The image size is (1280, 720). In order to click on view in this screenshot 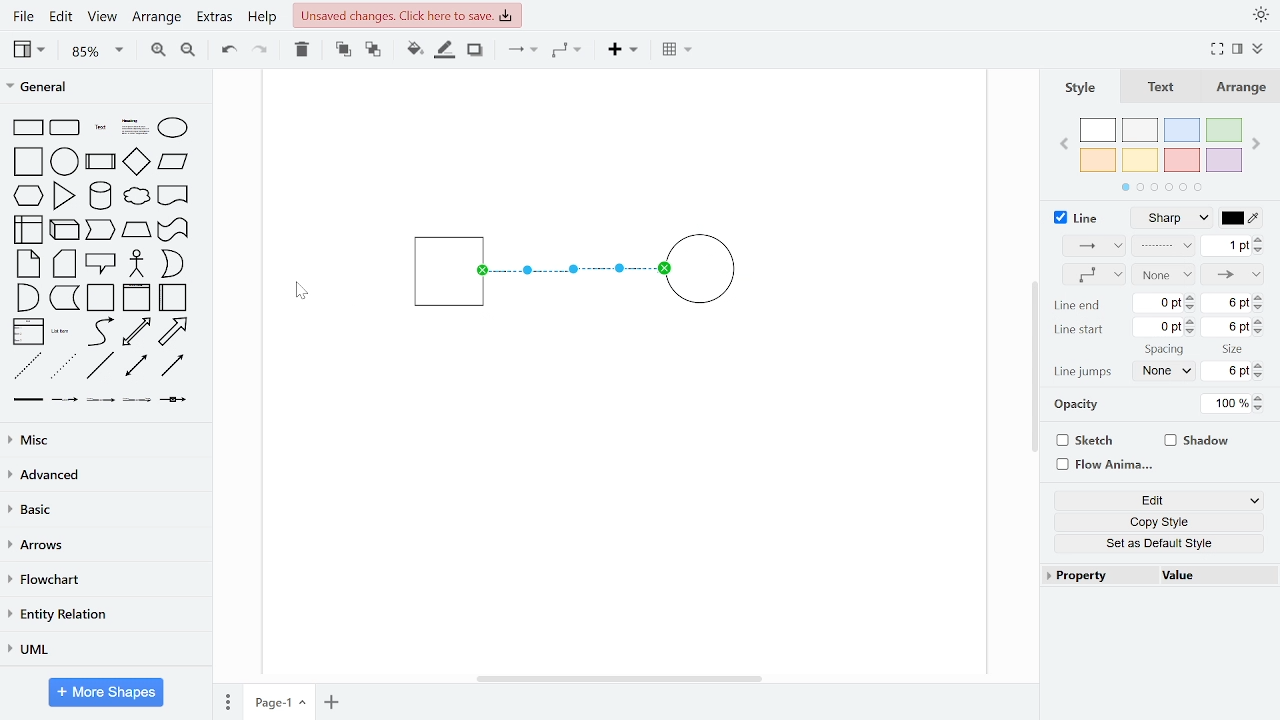, I will do `click(100, 18)`.